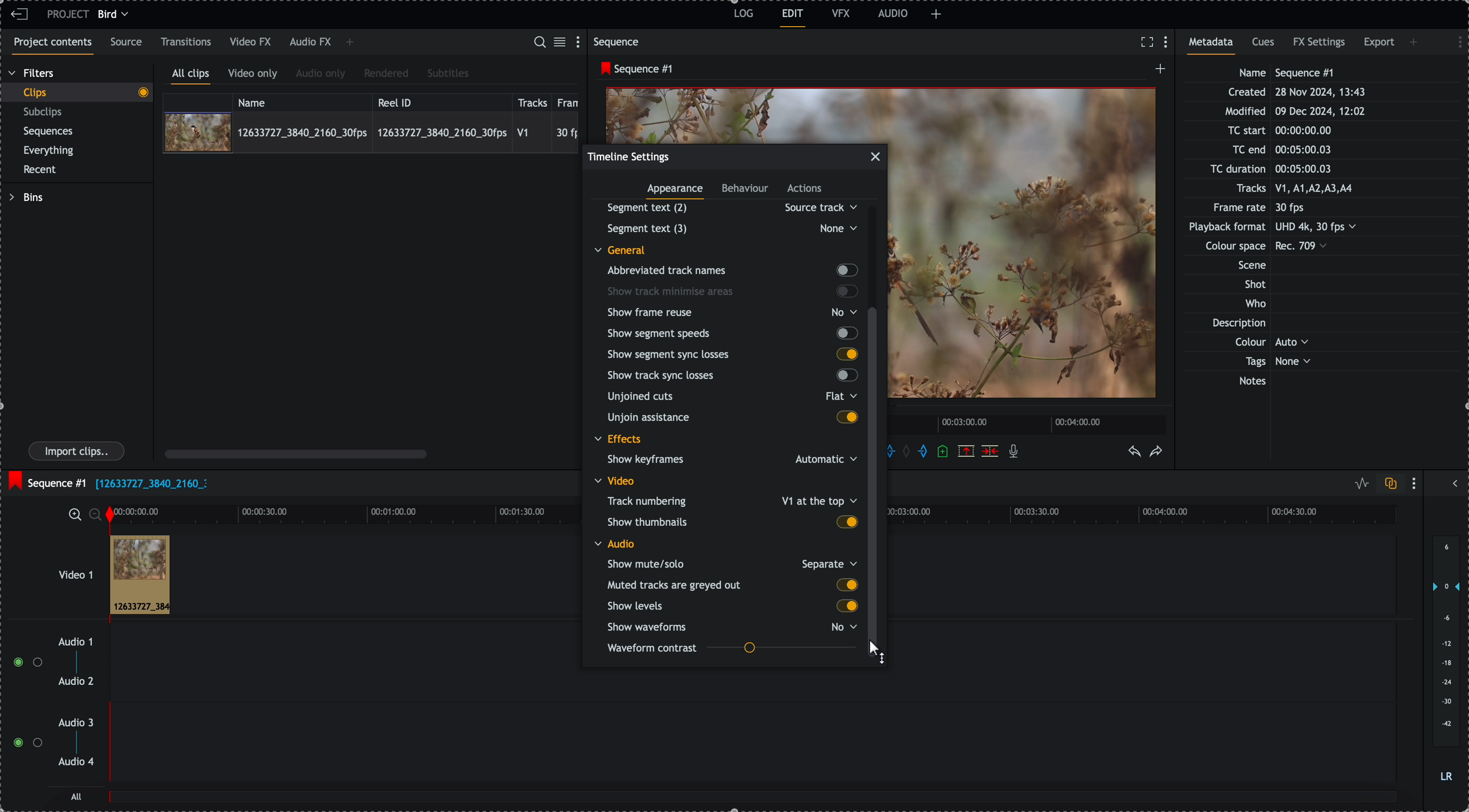 The image size is (1469, 812). What do you see at coordinates (727, 461) in the screenshot?
I see `show keyframes` at bounding box center [727, 461].